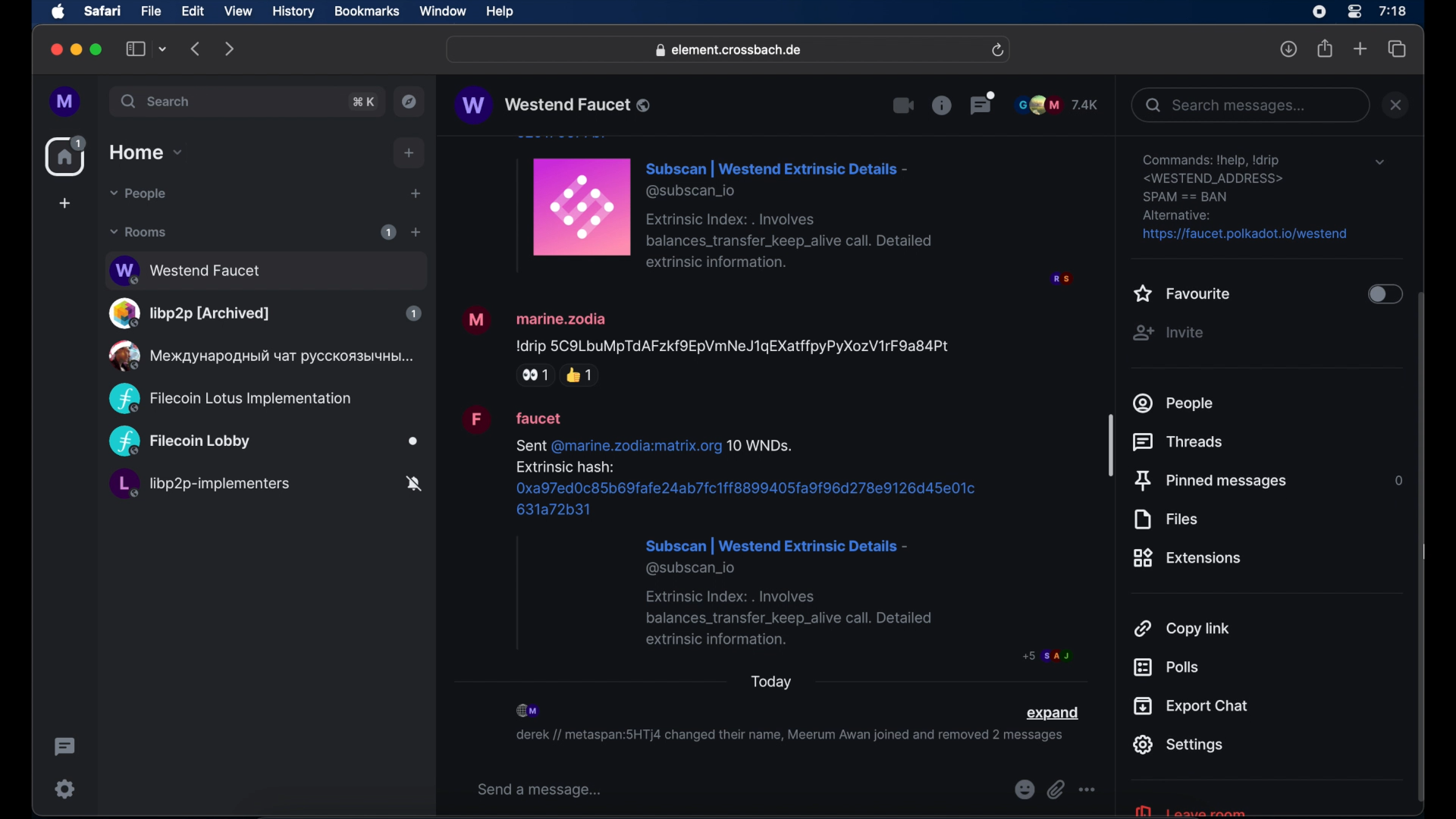 The height and width of the screenshot is (819, 1456). Describe the element at coordinates (1183, 295) in the screenshot. I see `favorite` at that location.